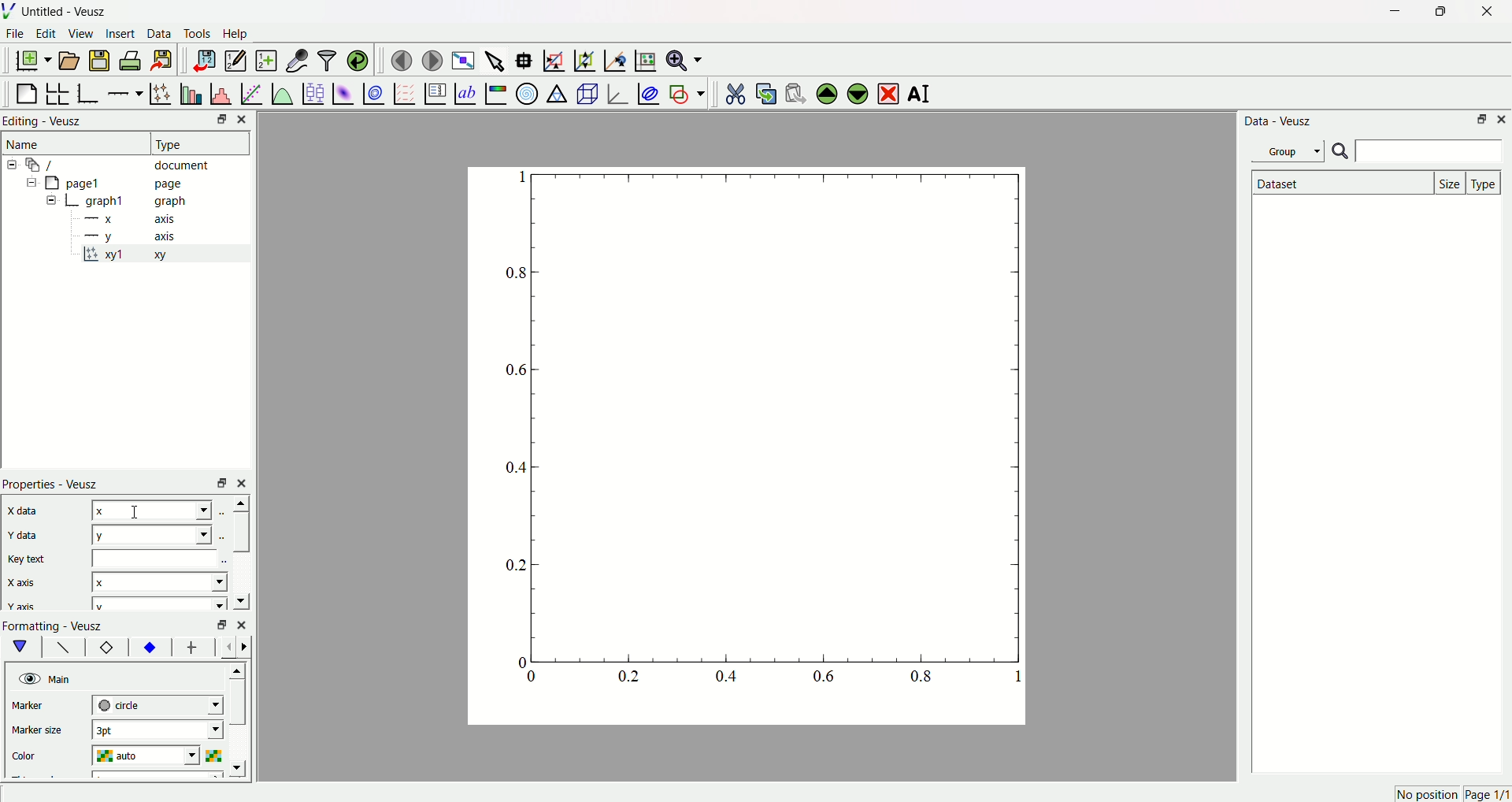 This screenshot has height=802, width=1512. I want to click on plot a function, so click(281, 93).